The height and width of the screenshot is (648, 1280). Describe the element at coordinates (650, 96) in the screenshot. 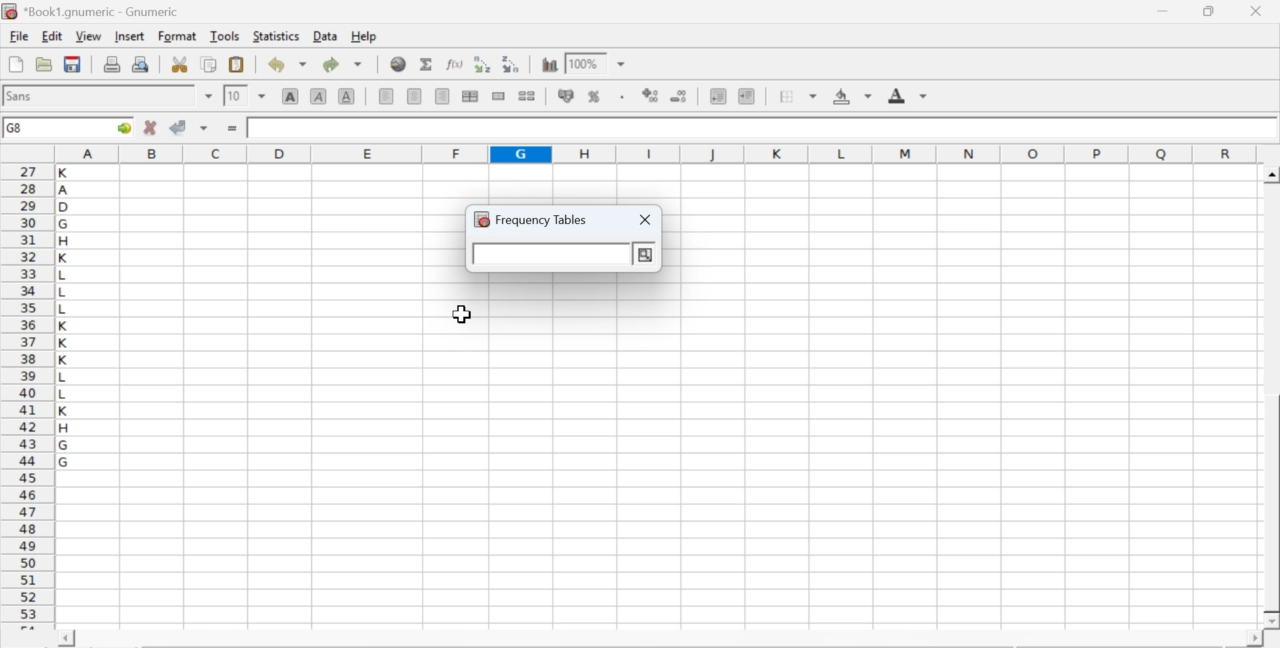

I see `decrease number of decimals displayed` at that location.